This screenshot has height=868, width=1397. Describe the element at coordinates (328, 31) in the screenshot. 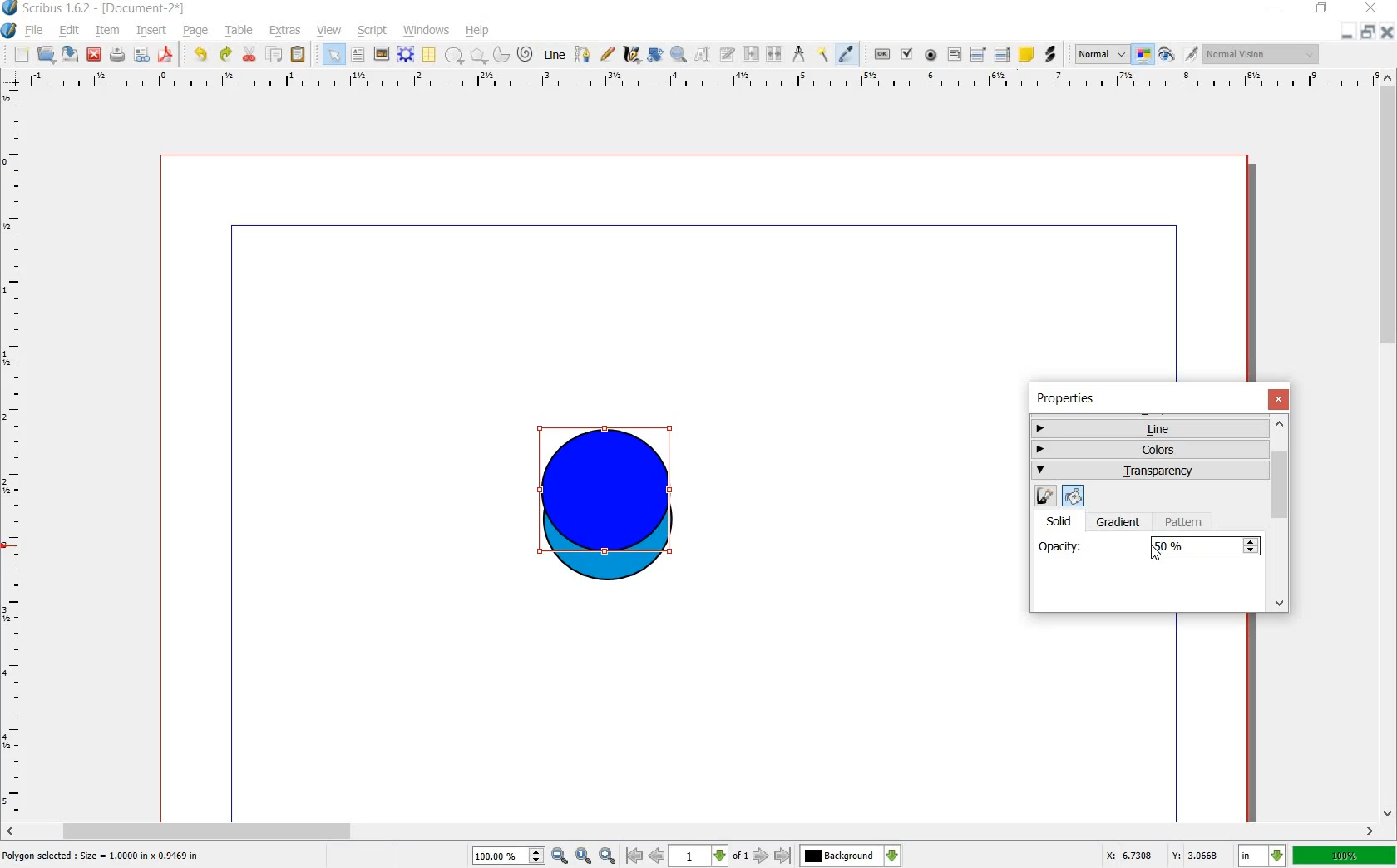

I see `view` at that location.